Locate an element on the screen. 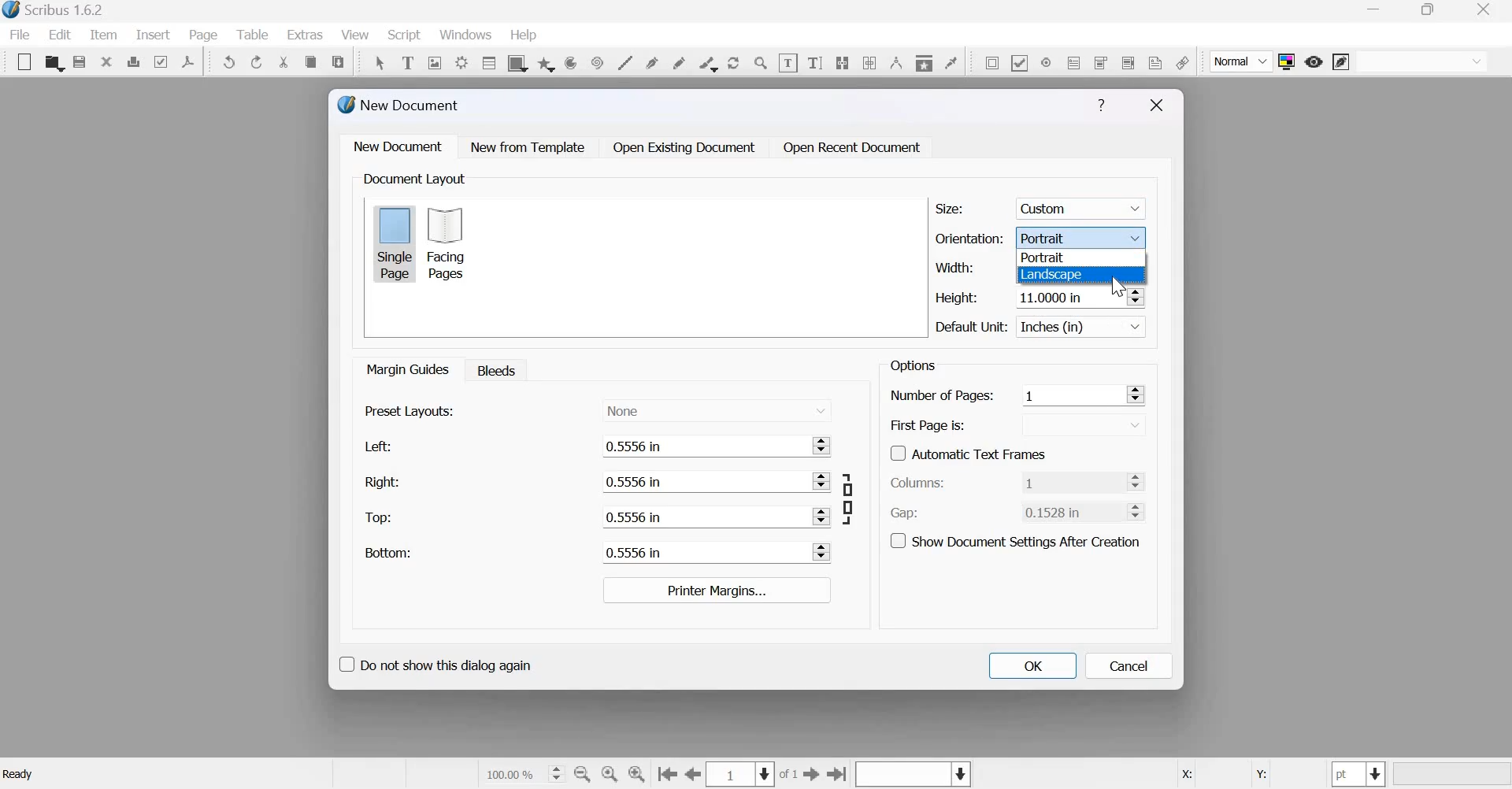  Increase and Decrease is located at coordinates (821, 552).